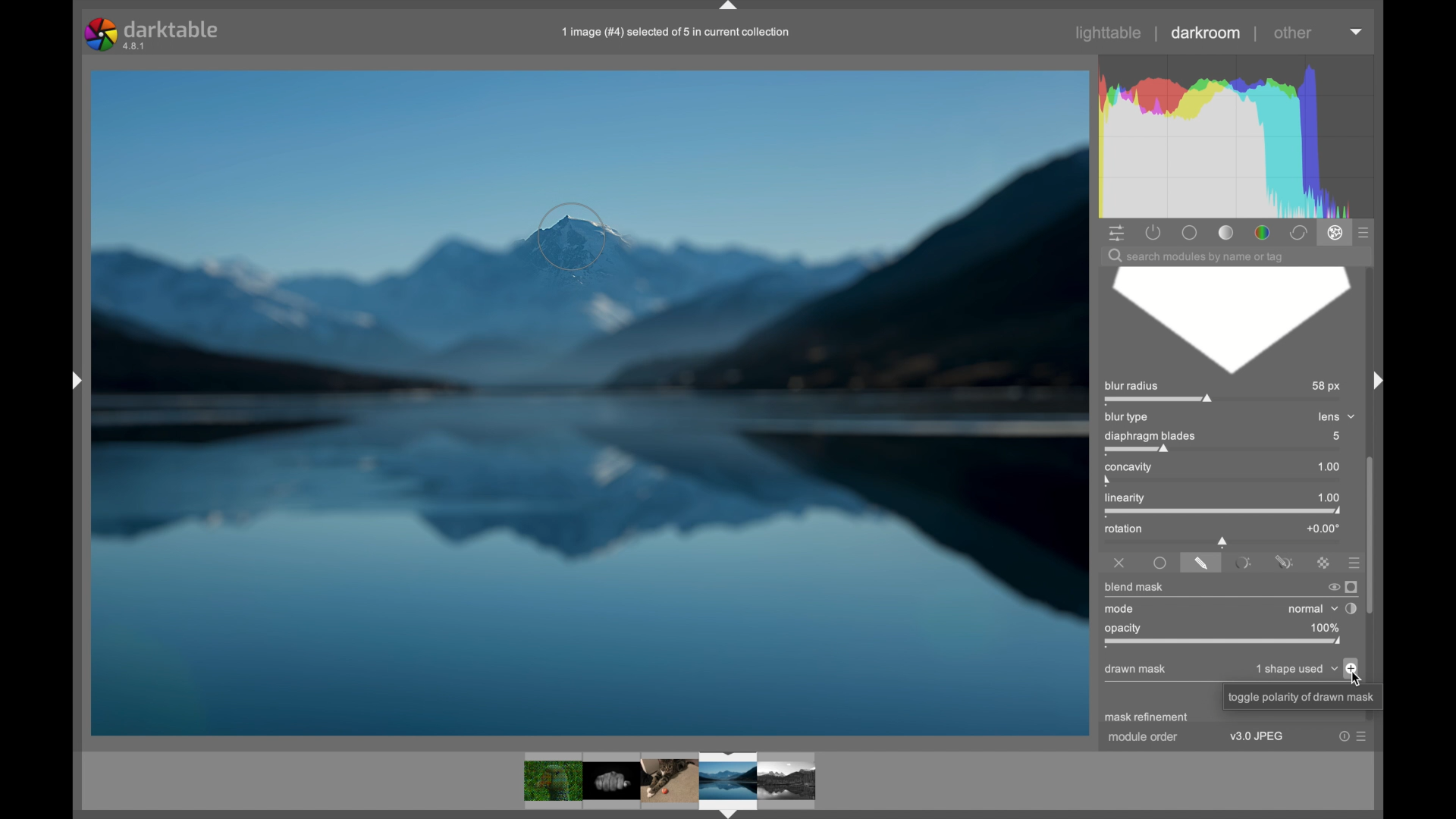 The image size is (1456, 819). Describe the element at coordinates (1354, 677) in the screenshot. I see `cursor` at that location.